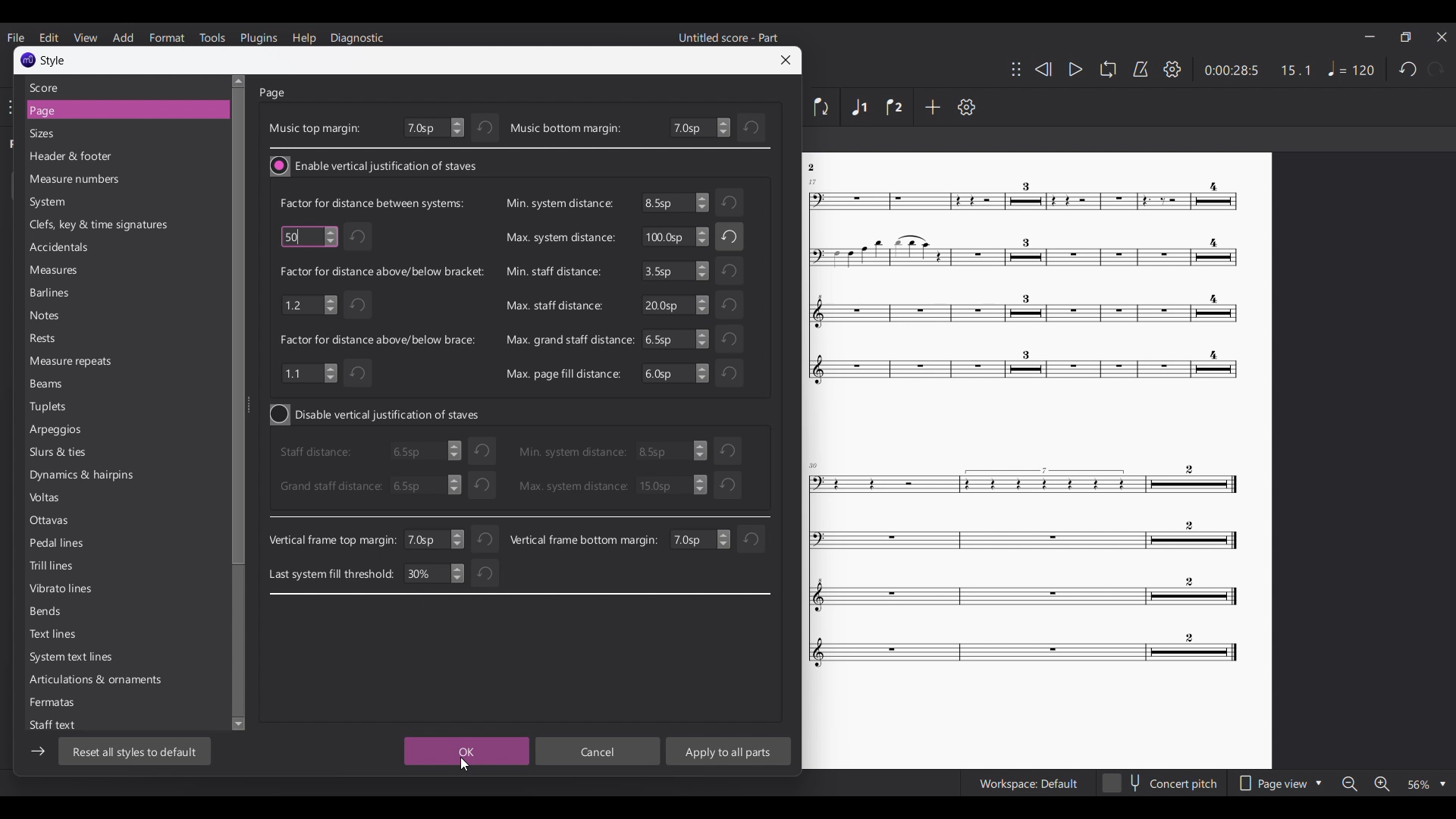 This screenshot has height=819, width=1456. I want to click on Edit menu, so click(49, 36).